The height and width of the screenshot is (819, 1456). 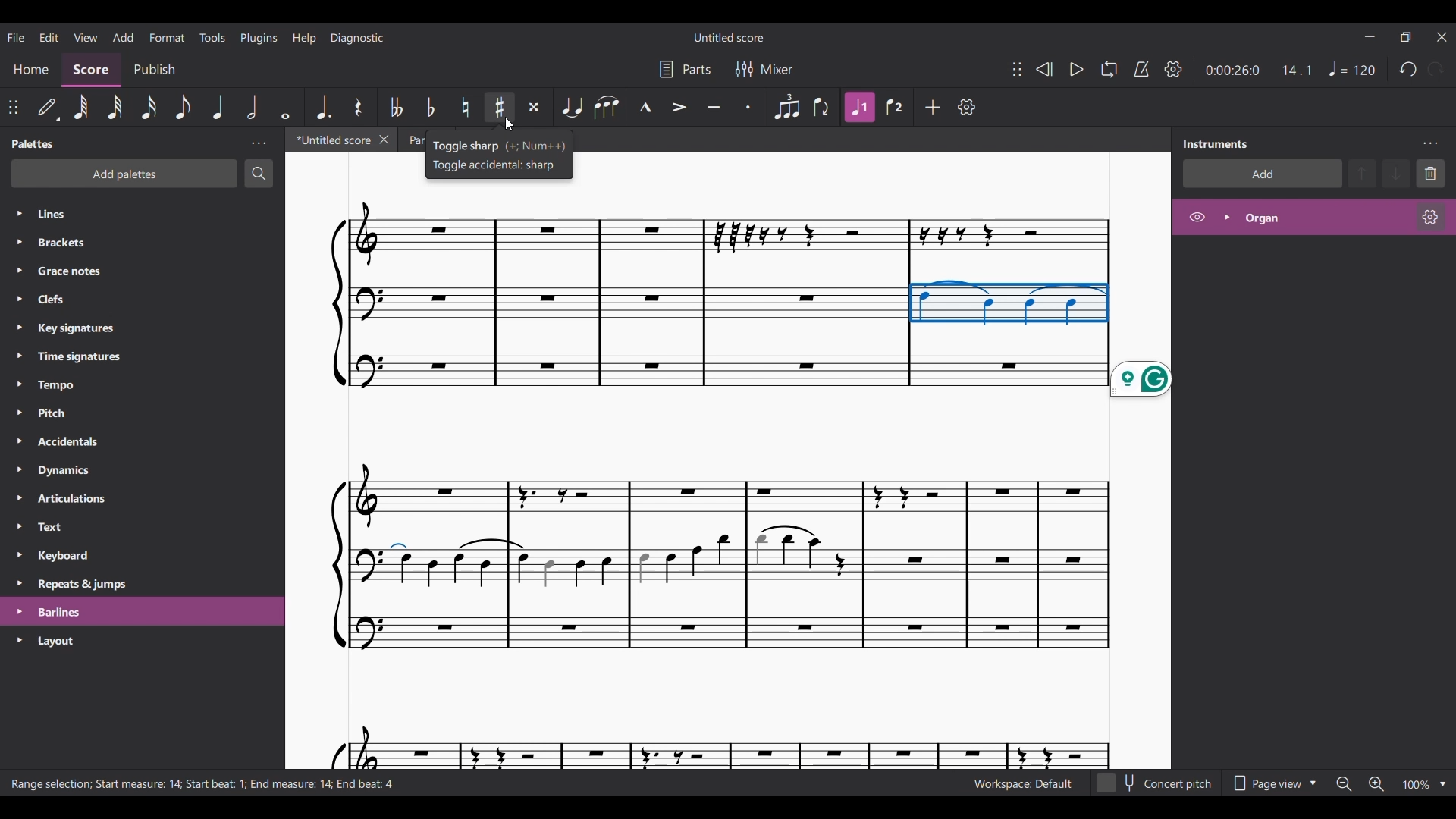 I want to click on Looping playback, so click(x=1109, y=70).